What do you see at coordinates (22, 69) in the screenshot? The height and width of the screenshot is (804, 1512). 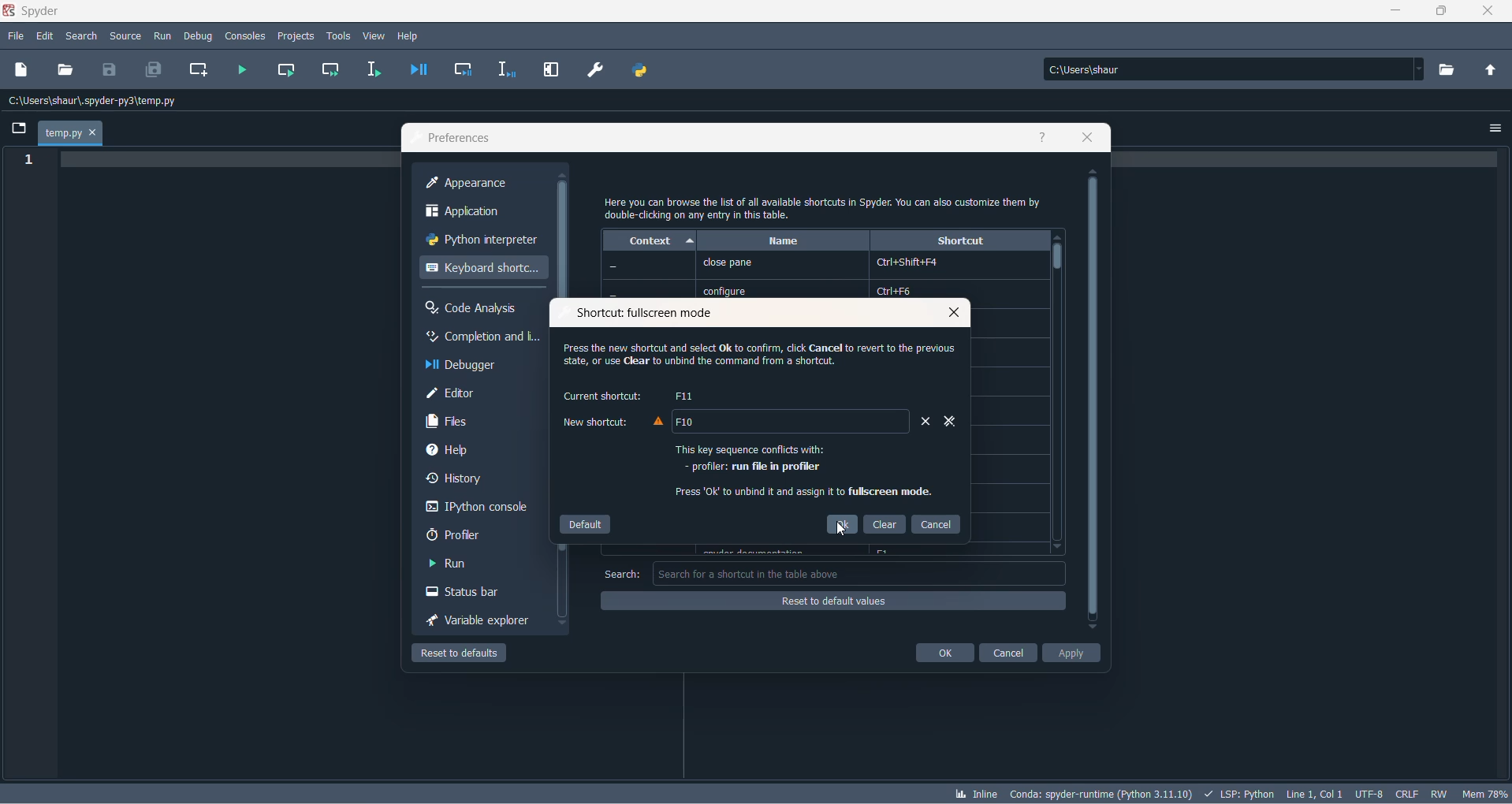 I see `new dile` at bounding box center [22, 69].